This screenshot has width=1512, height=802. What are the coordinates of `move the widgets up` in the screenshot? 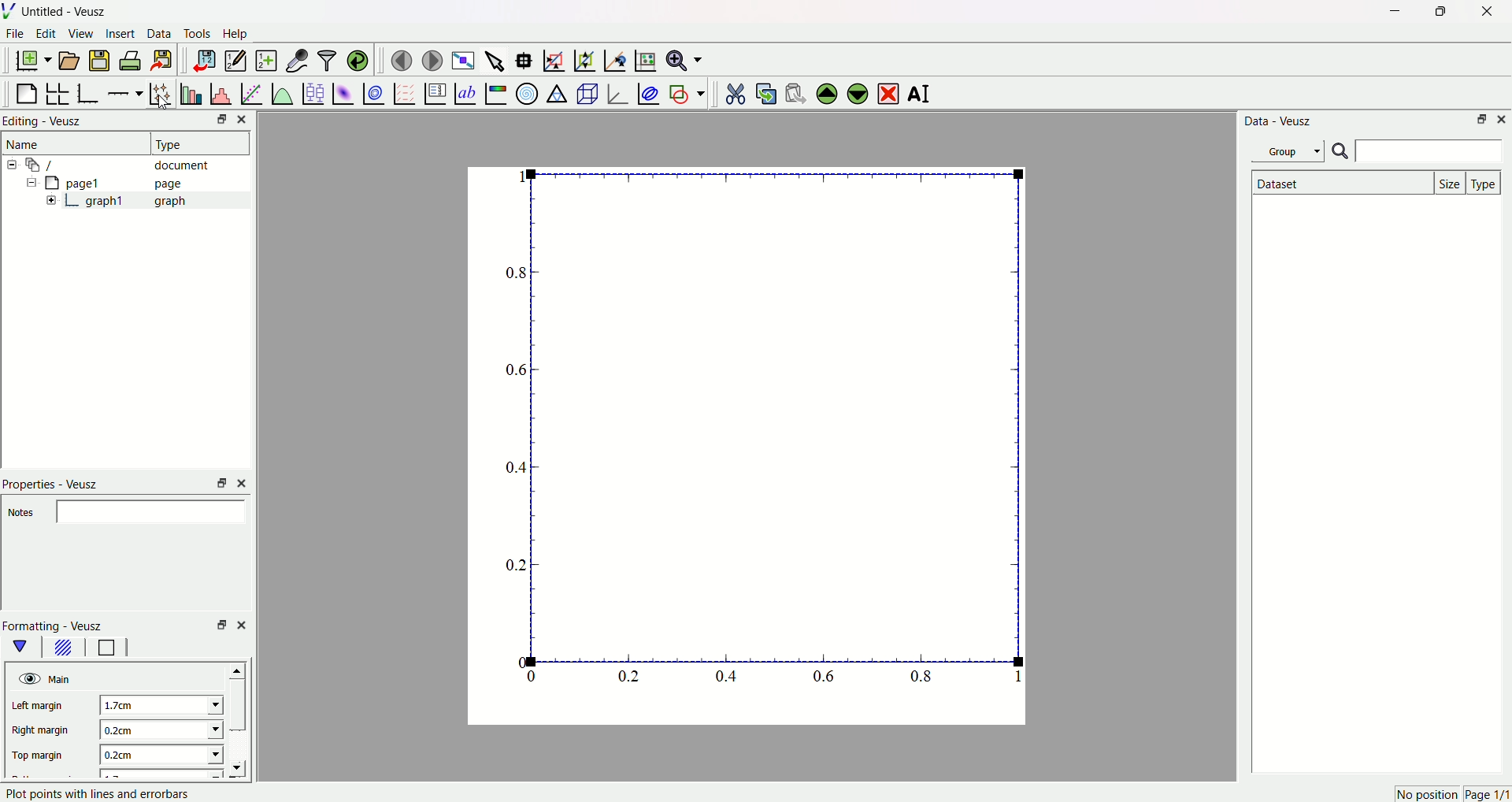 It's located at (827, 92).